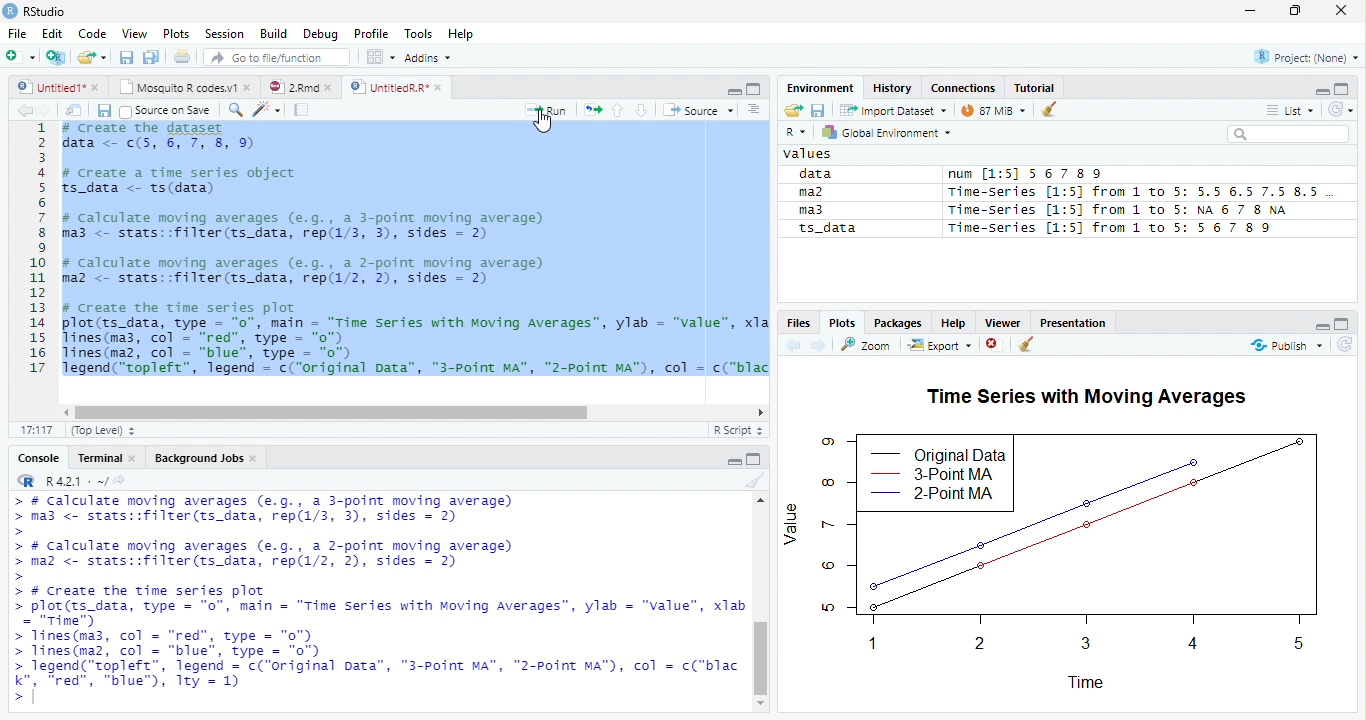 This screenshot has height=720, width=1366. I want to click on zoom, so click(869, 345).